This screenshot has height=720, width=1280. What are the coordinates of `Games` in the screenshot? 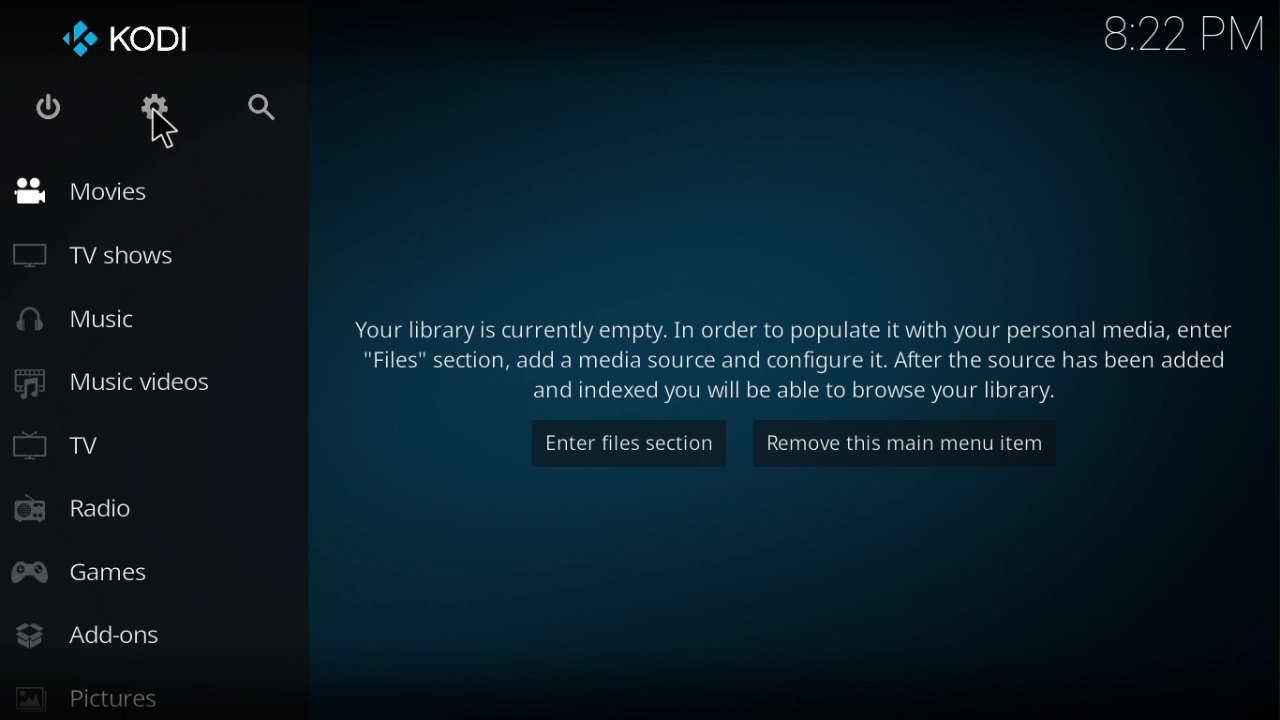 It's located at (98, 570).